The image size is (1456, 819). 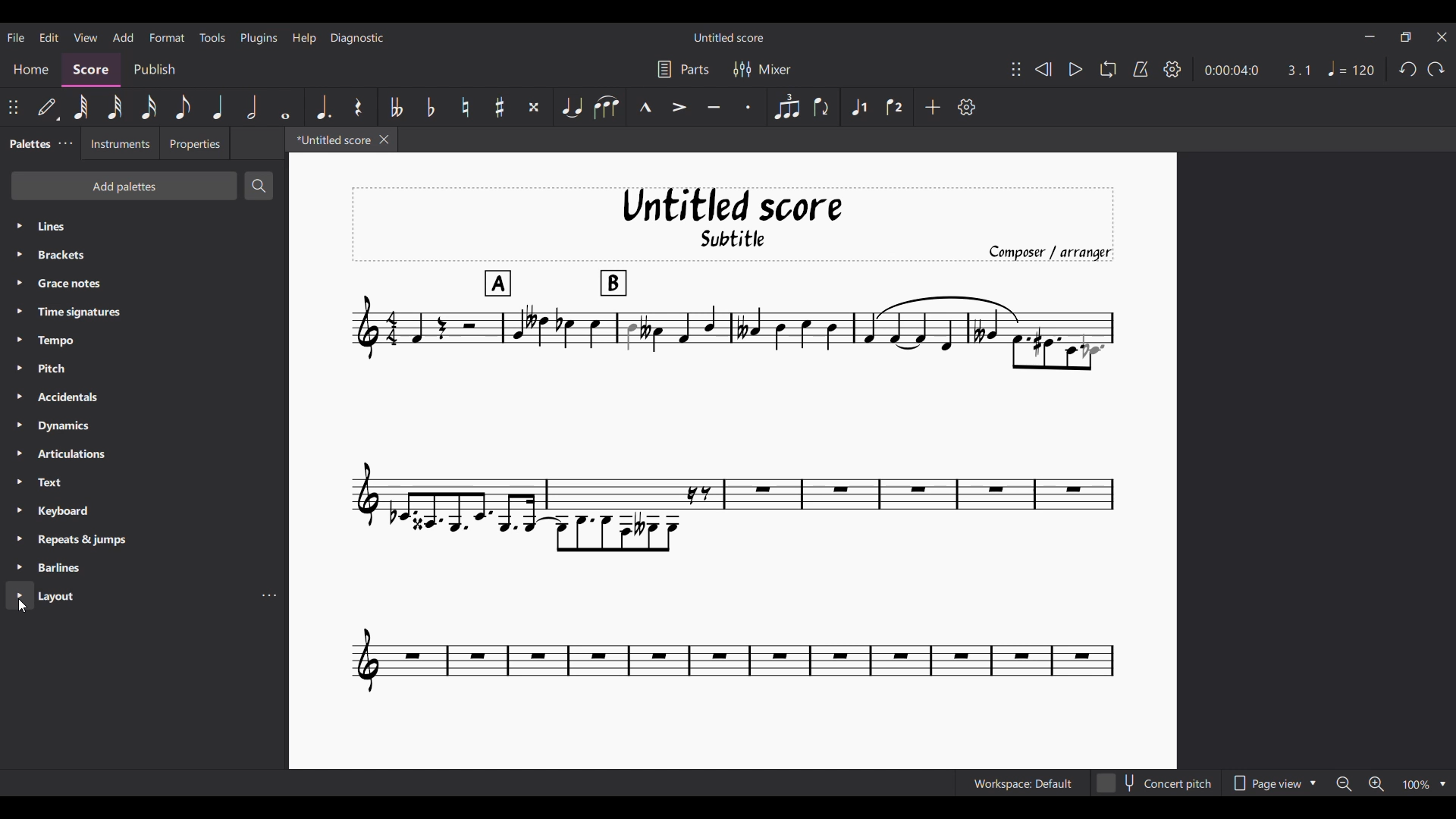 I want to click on Minimize, so click(x=1370, y=36).